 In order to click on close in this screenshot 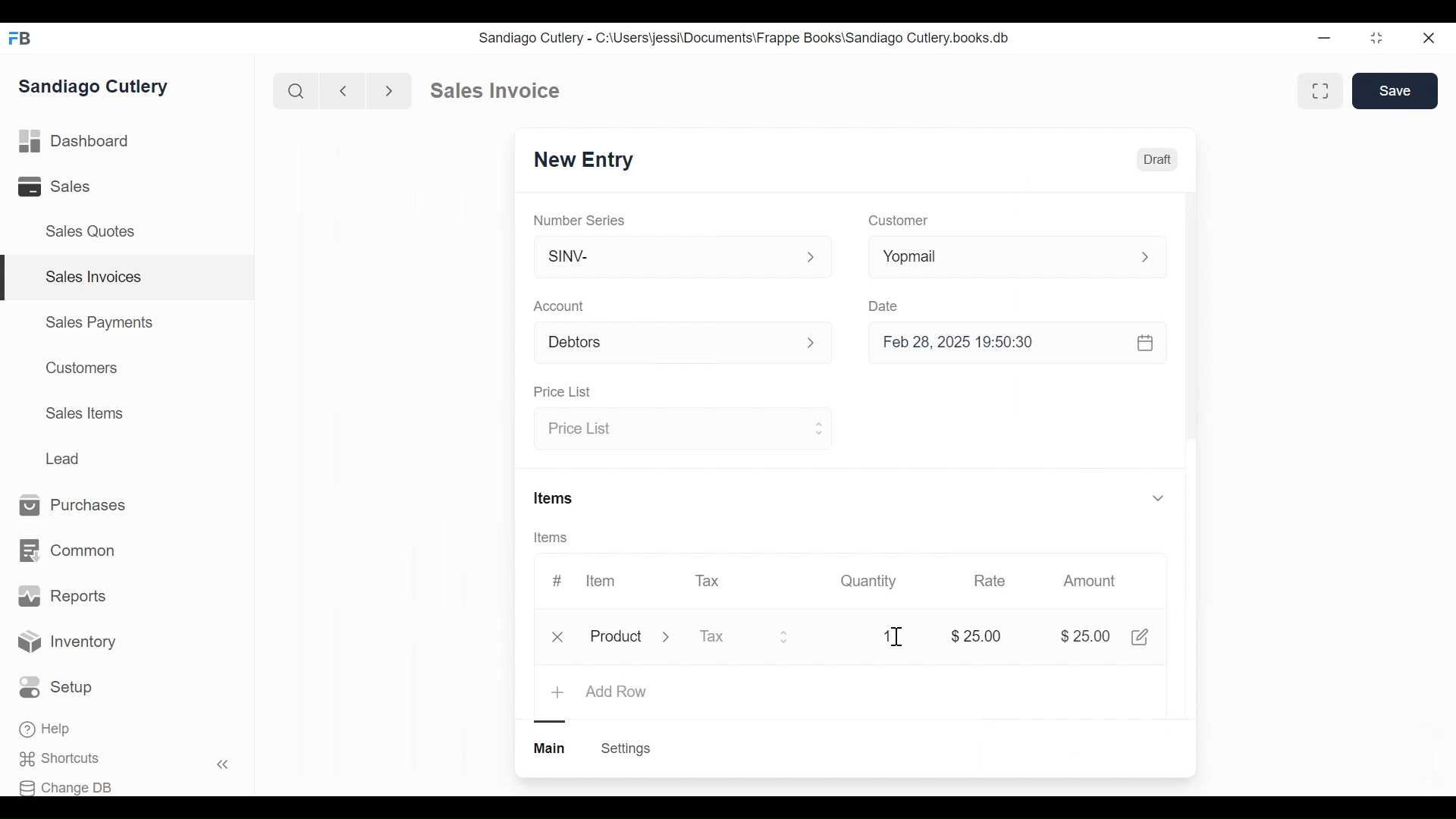, I will do `click(1430, 39)`.